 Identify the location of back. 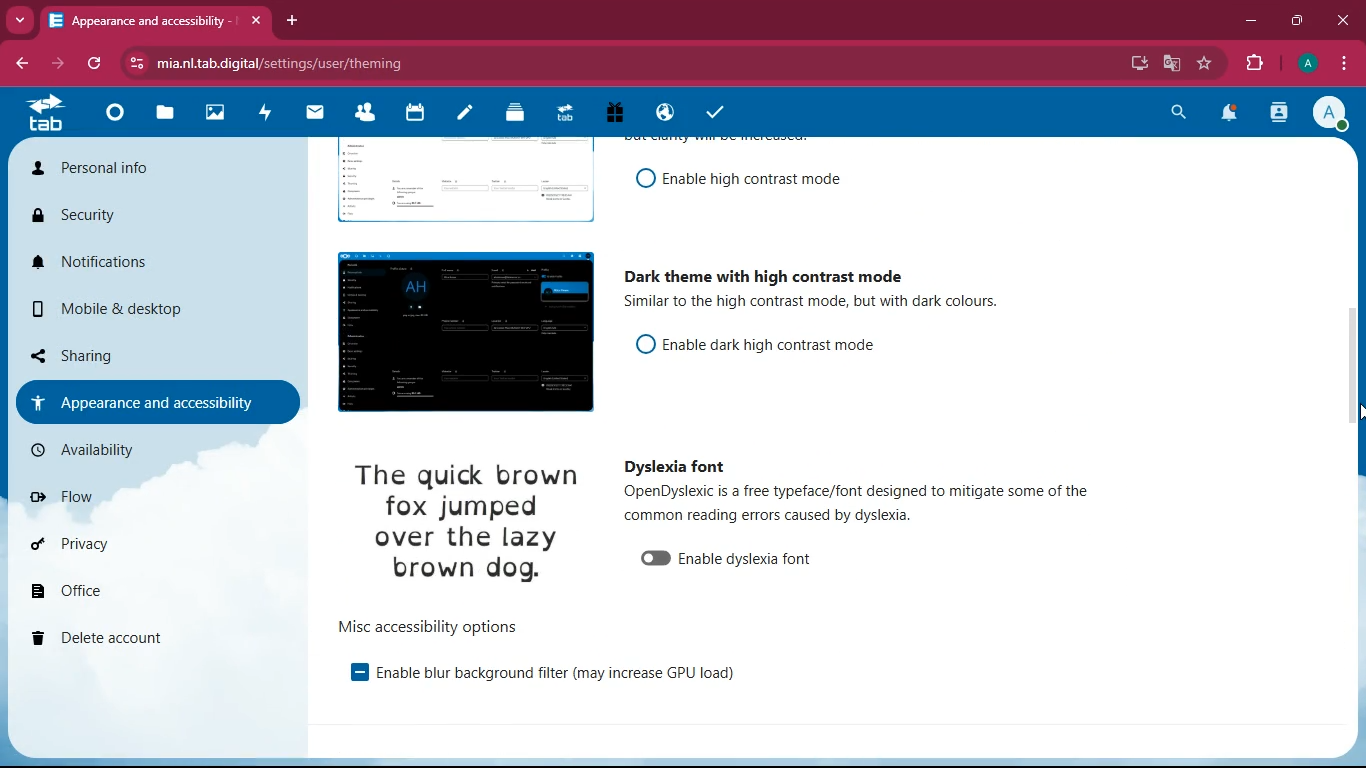
(20, 64).